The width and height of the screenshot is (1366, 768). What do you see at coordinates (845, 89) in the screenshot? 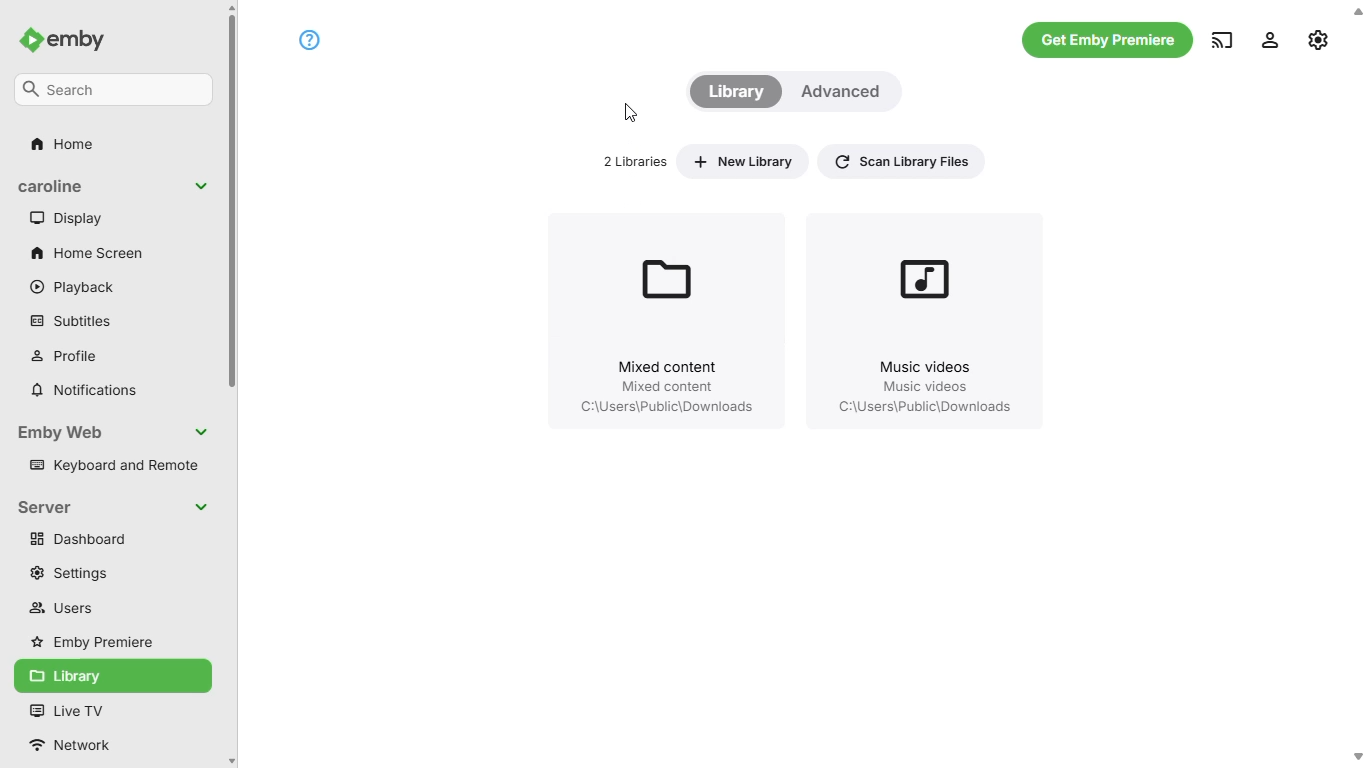
I see `advanced` at bounding box center [845, 89].